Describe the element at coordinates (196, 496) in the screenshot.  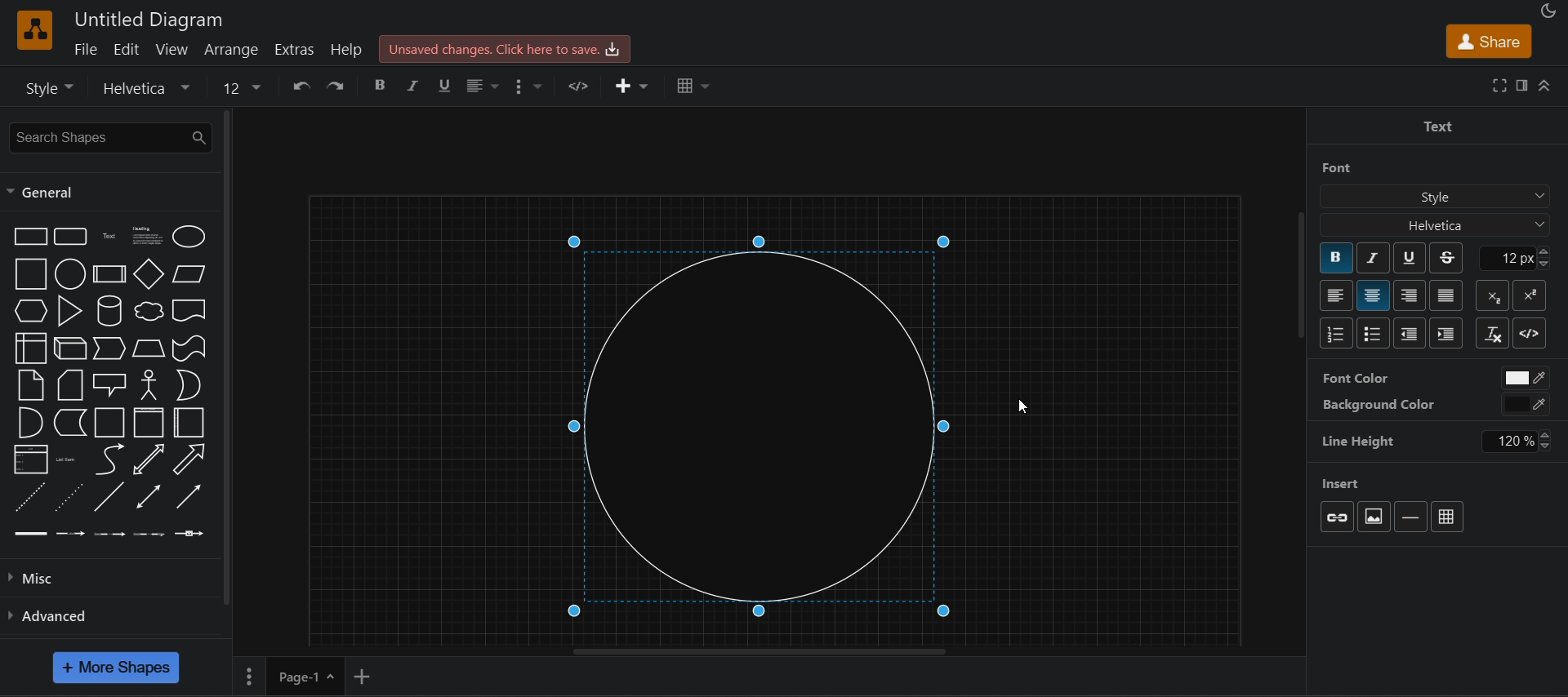
I see `directional connector` at that location.